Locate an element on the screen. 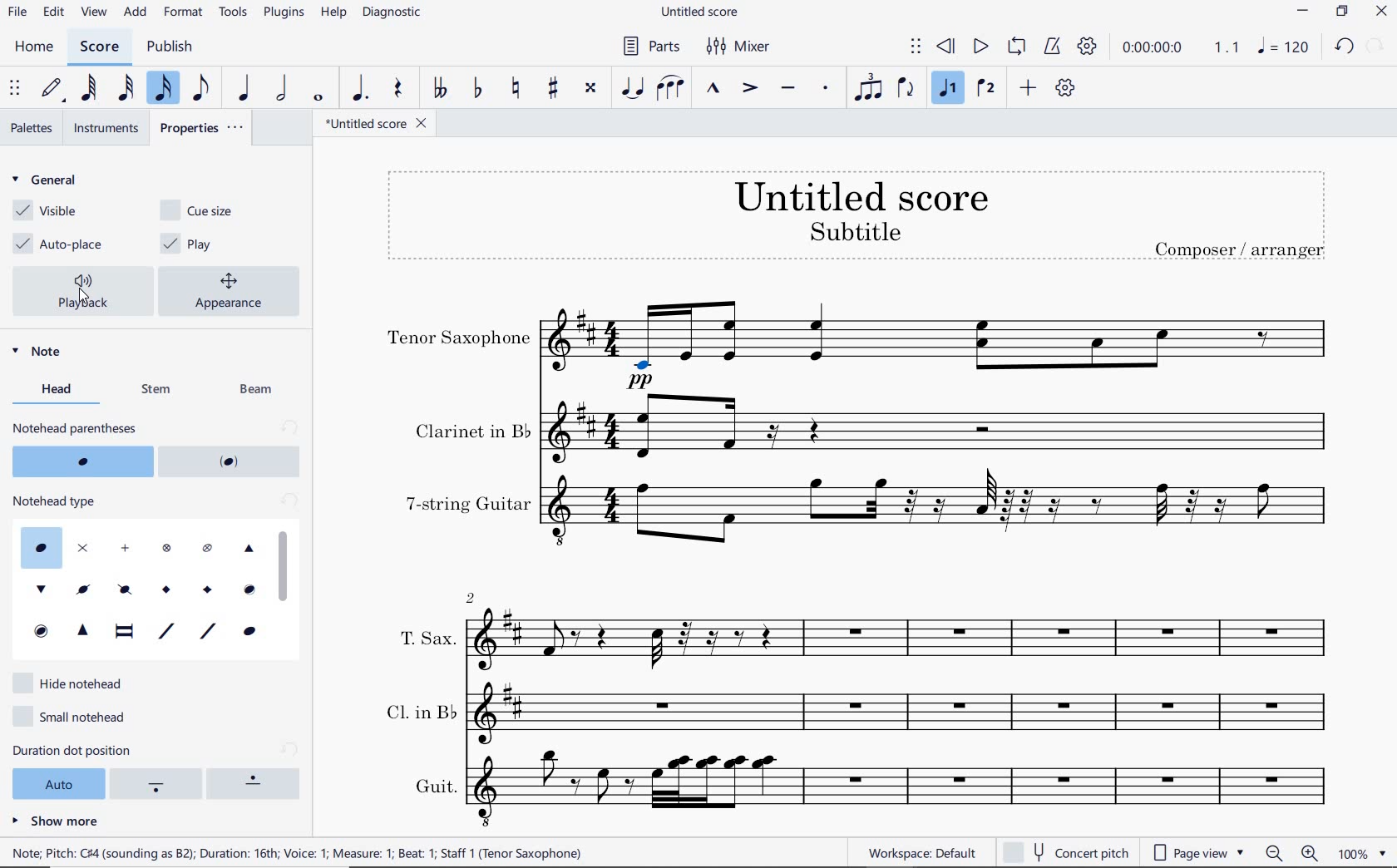 The image size is (1397, 868). AUGMENTATION DOT is located at coordinates (362, 89).